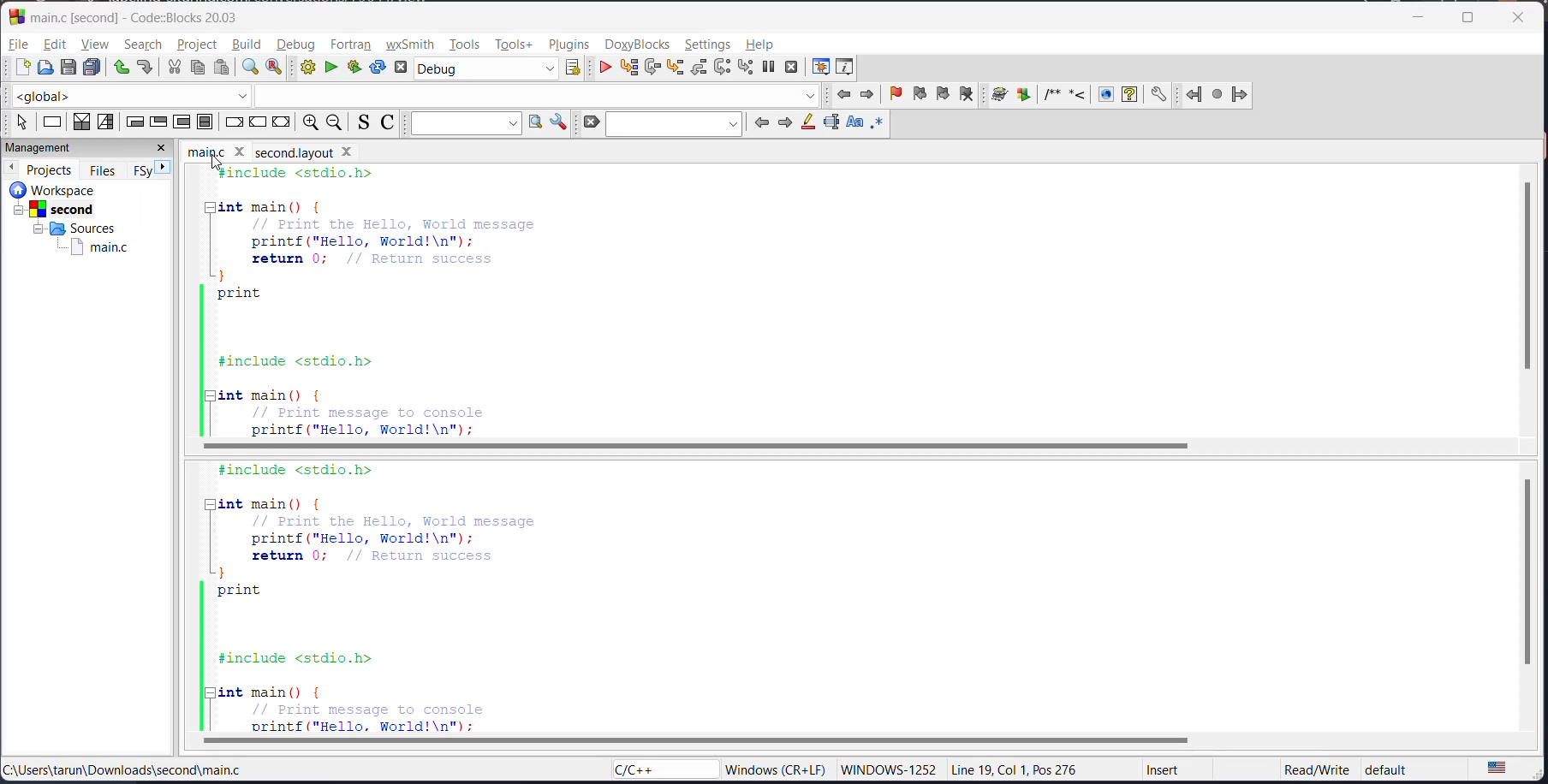 Image resolution: width=1548 pixels, height=784 pixels. I want to click on save, so click(69, 68).